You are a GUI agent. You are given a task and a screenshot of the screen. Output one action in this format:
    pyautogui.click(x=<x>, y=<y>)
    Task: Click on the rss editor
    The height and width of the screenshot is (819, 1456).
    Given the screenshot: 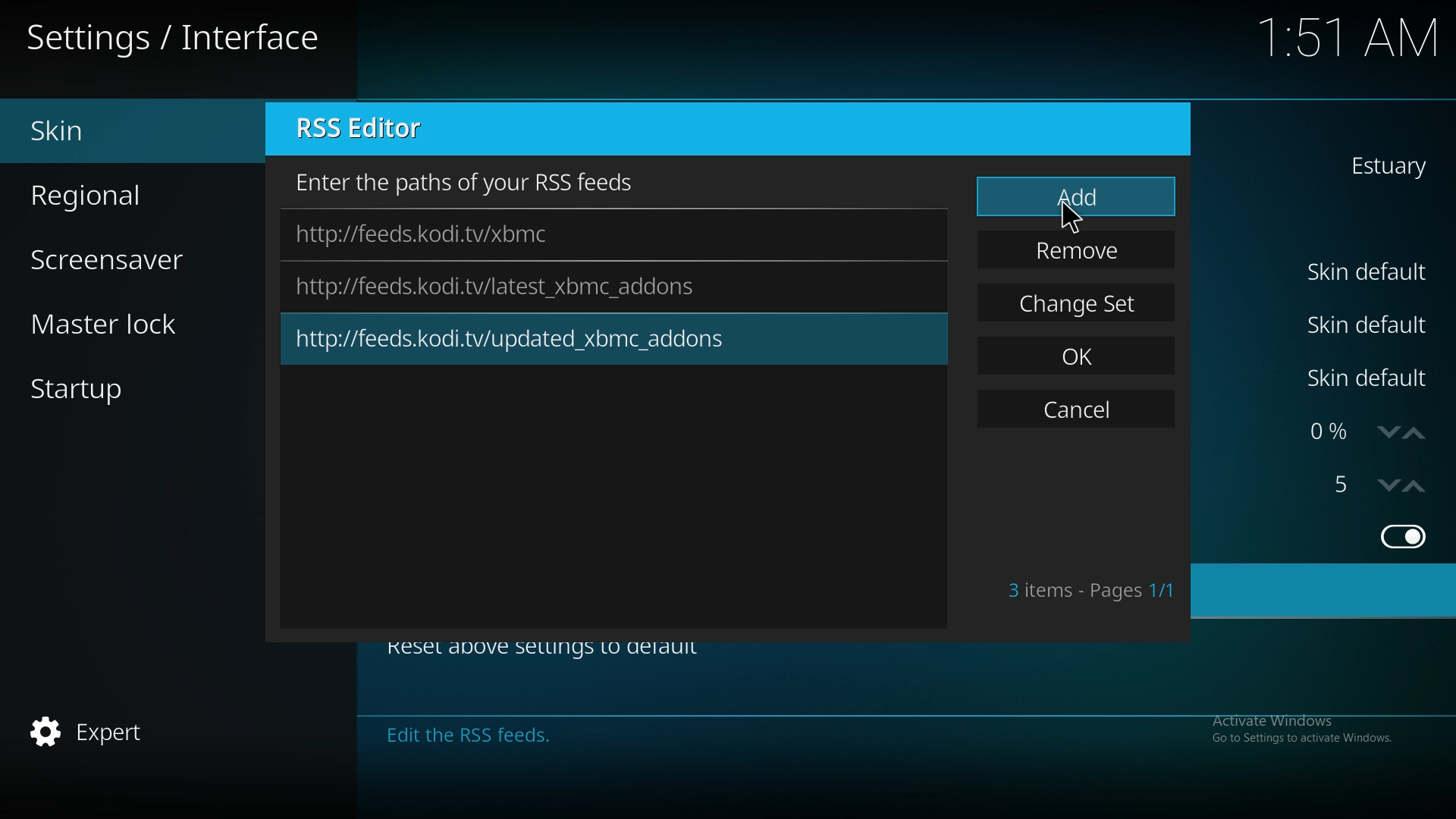 What is the action you would take?
    pyautogui.click(x=373, y=130)
    